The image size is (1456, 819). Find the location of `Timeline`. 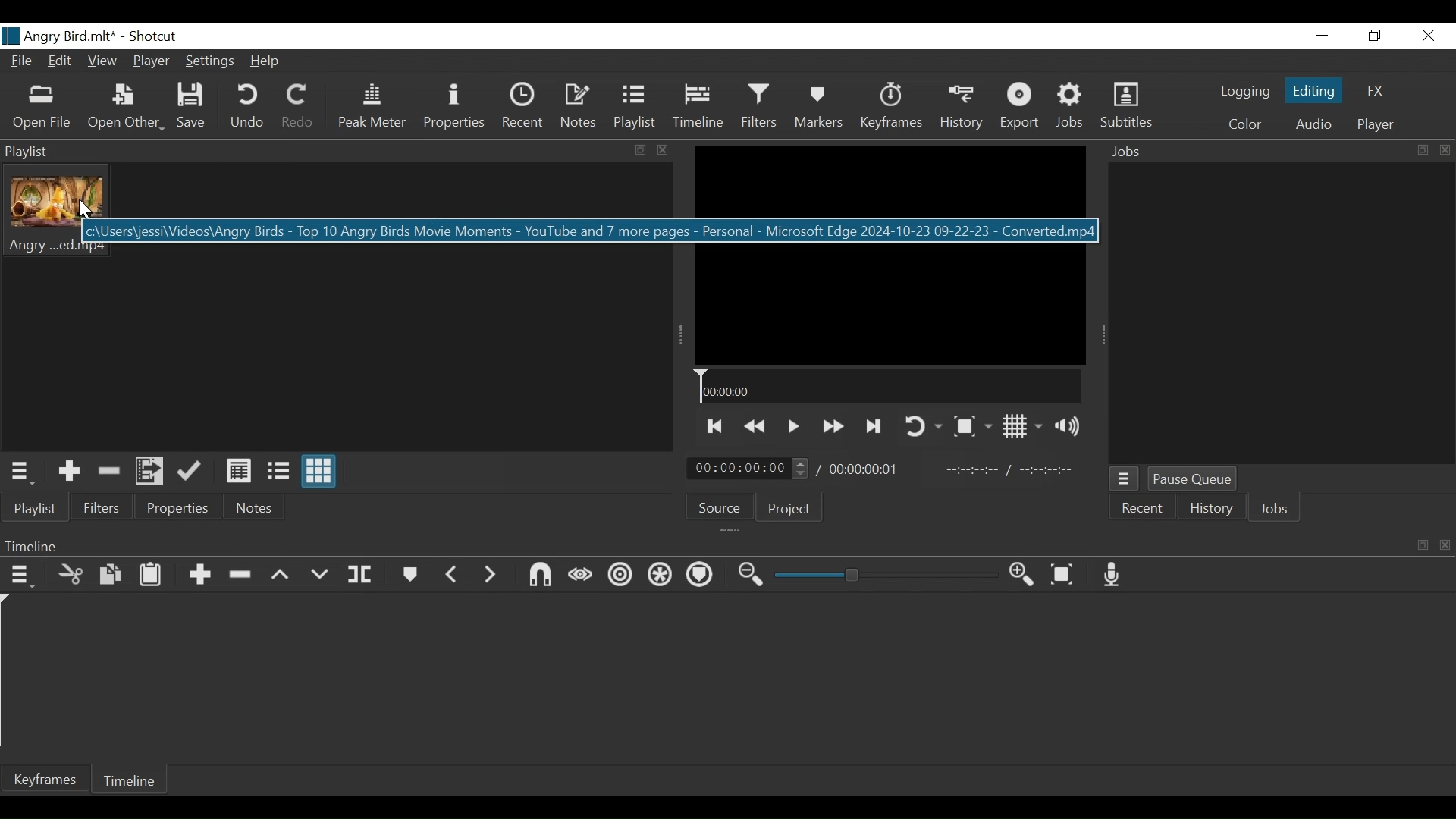

Timeline is located at coordinates (698, 106).